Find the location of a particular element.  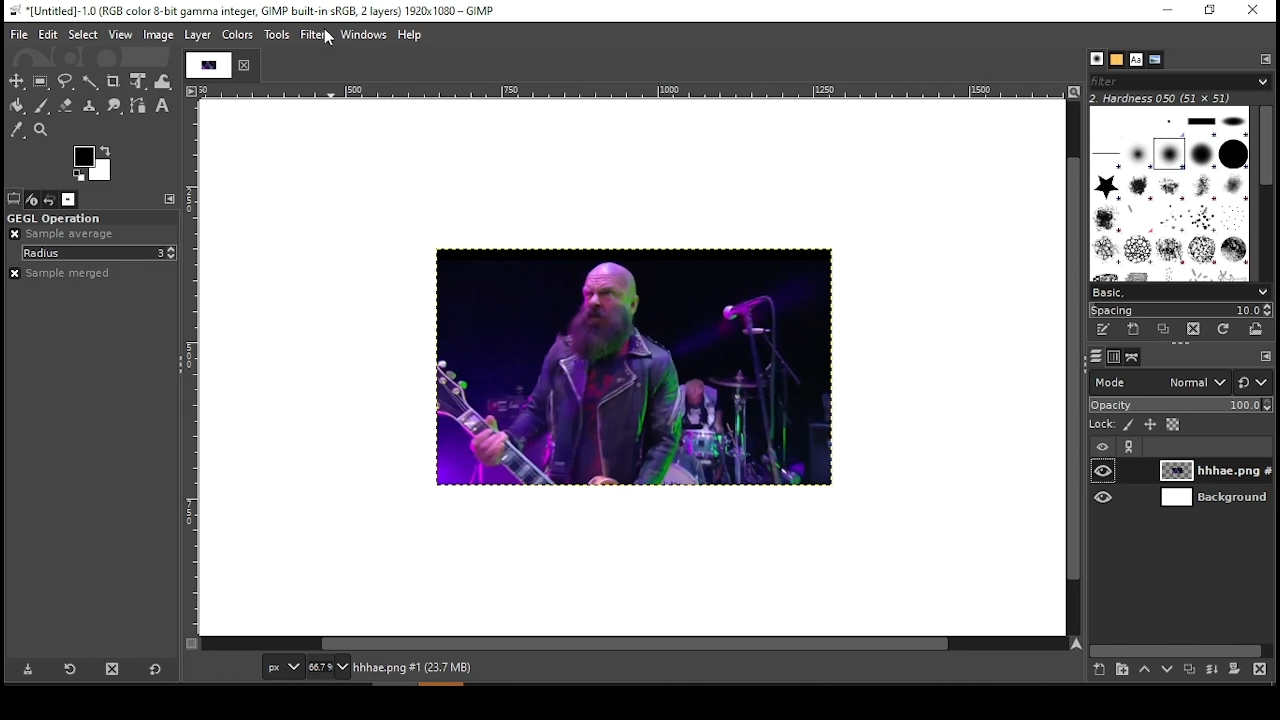

lock alpha channel is located at coordinates (1176, 426).